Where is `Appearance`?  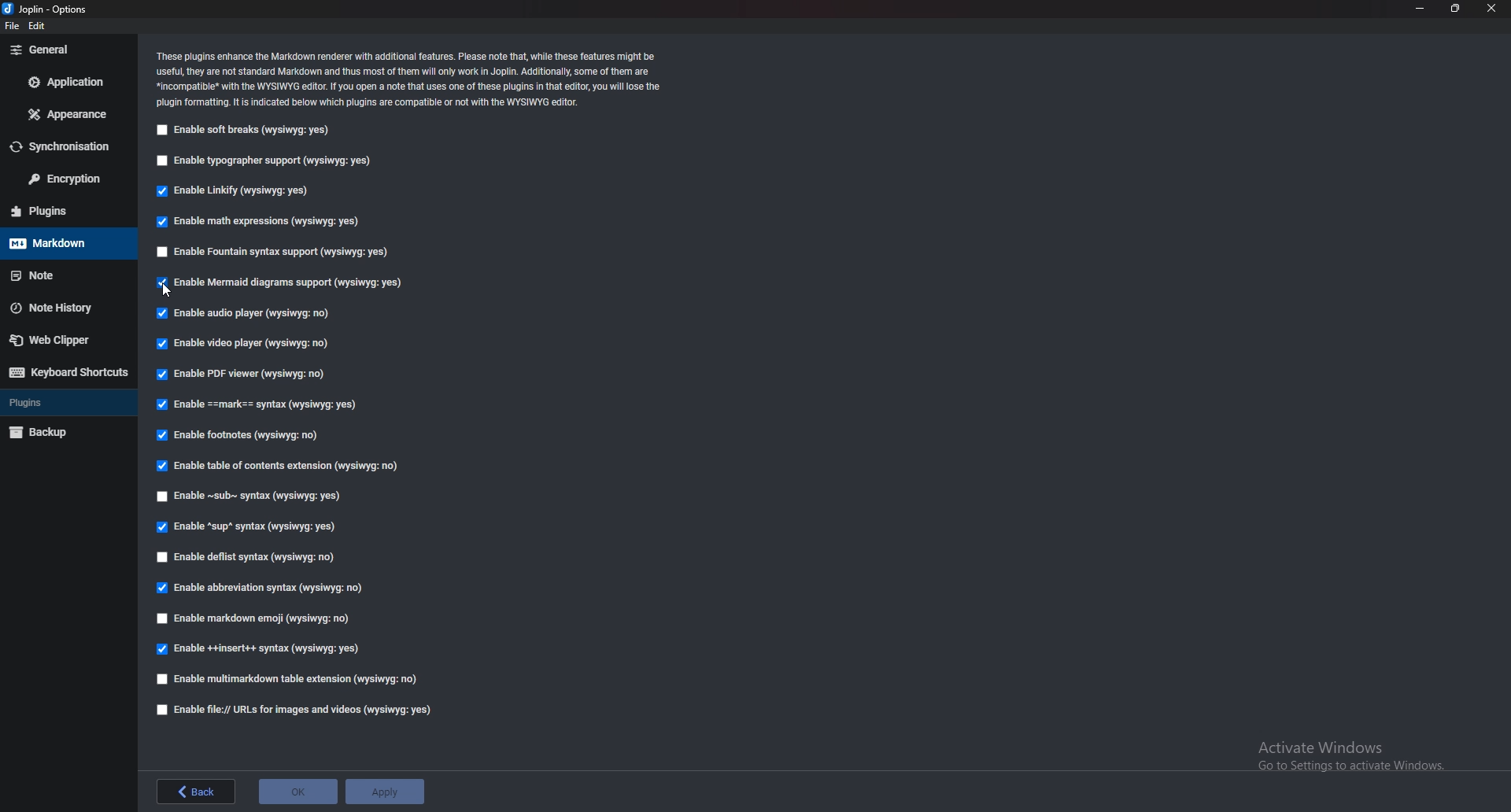 Appearance is located at coordinates (68, 114).